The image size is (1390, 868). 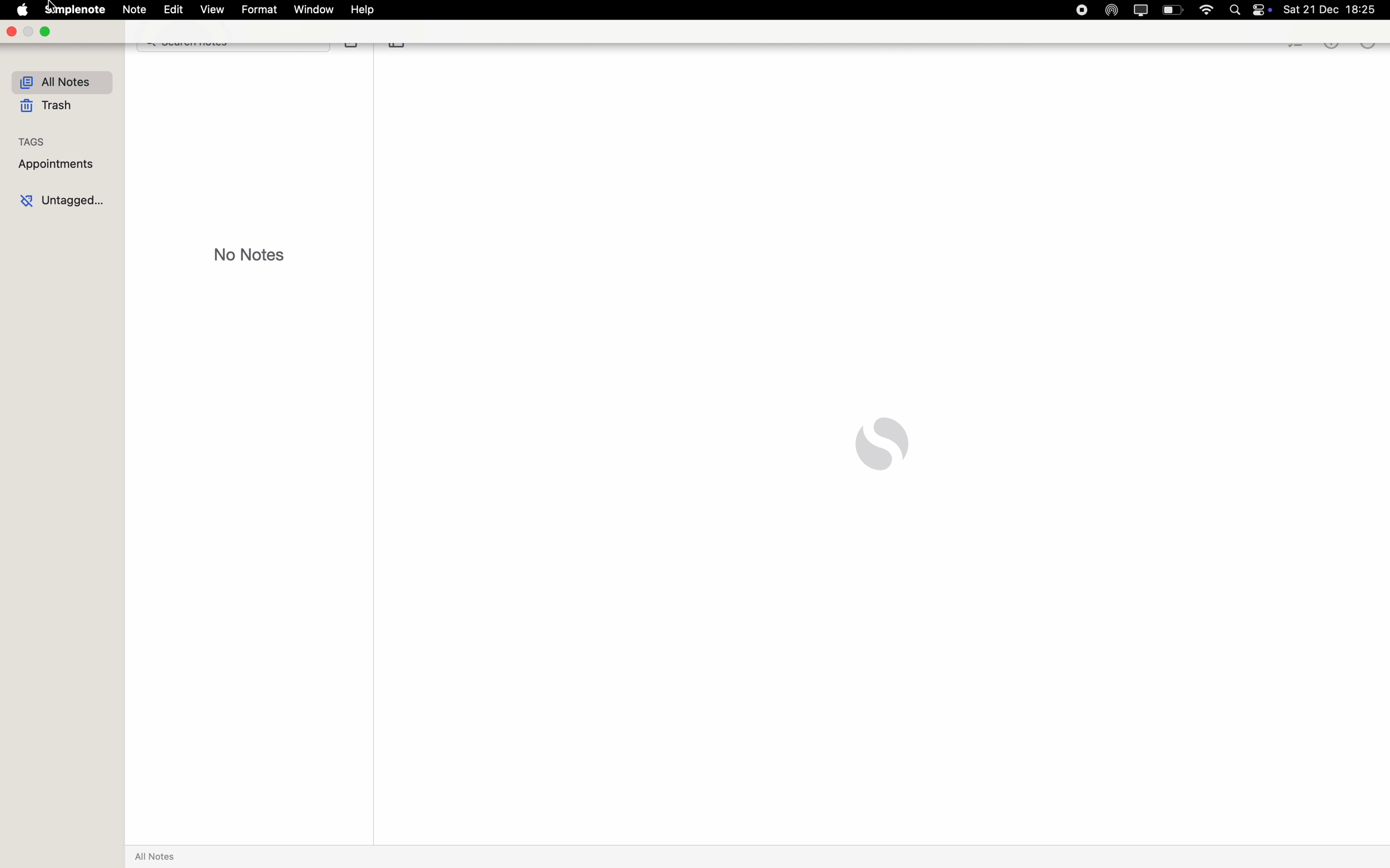 I want to click on create note, so click(x=352, y=48).